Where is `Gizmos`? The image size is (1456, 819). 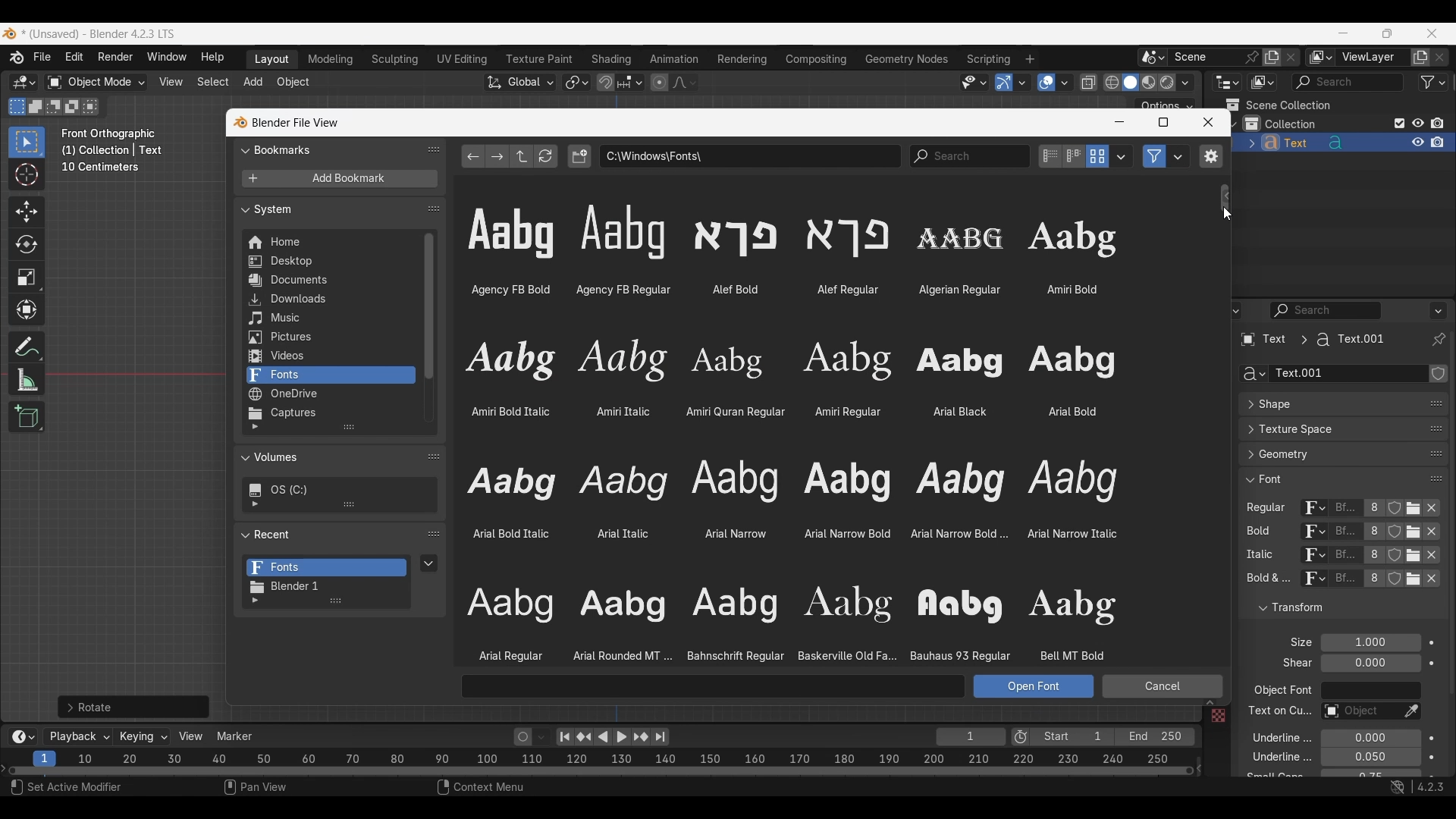 Gizmos is located at coordinates (1022, 82).